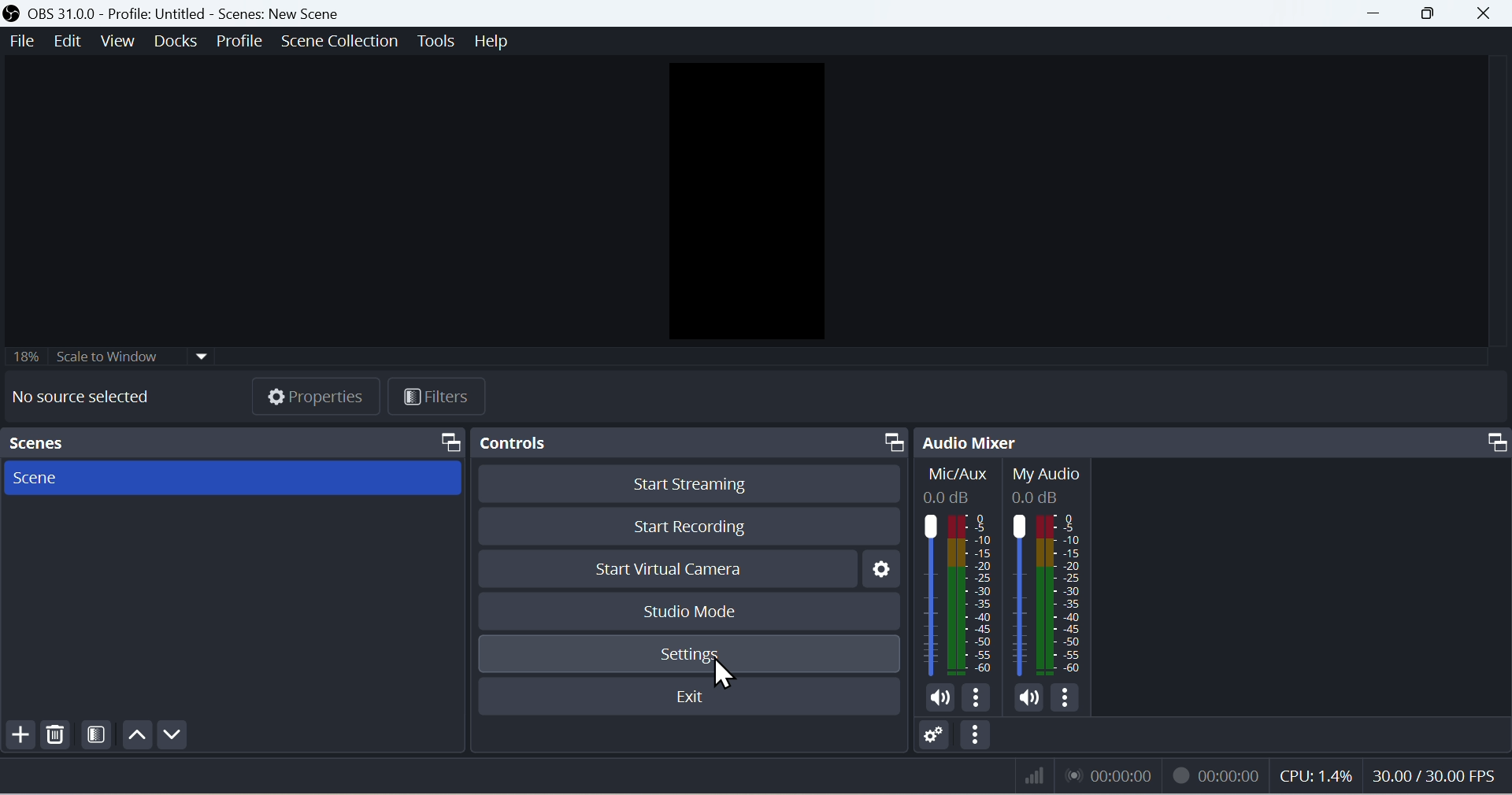  Describe the element at coordinates (1065, 697) in the screenshot. I see `more` at that location.